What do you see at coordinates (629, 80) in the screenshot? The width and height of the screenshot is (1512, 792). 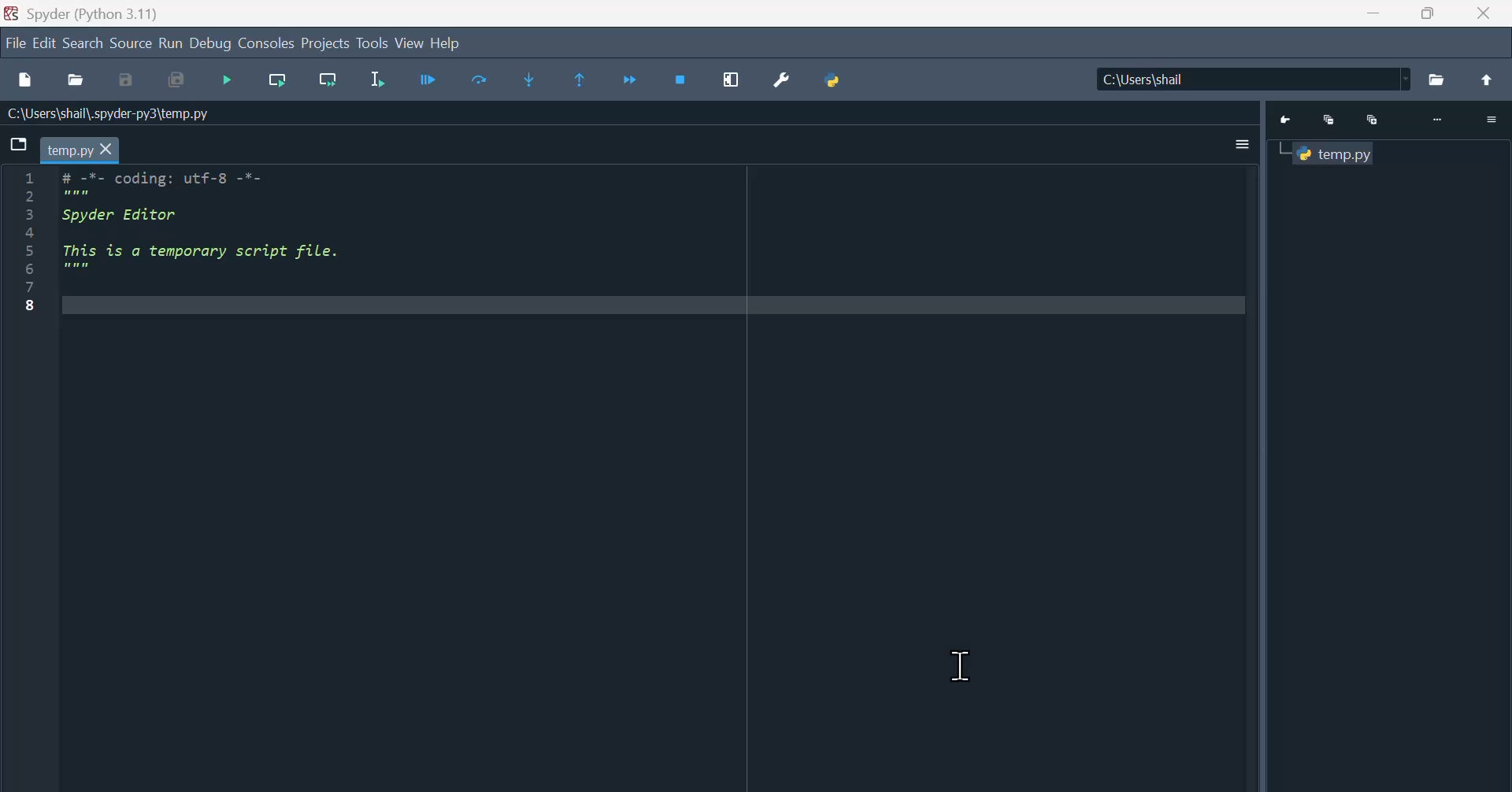 I see `Continue execution until next function` at bounding box center [629, 80].